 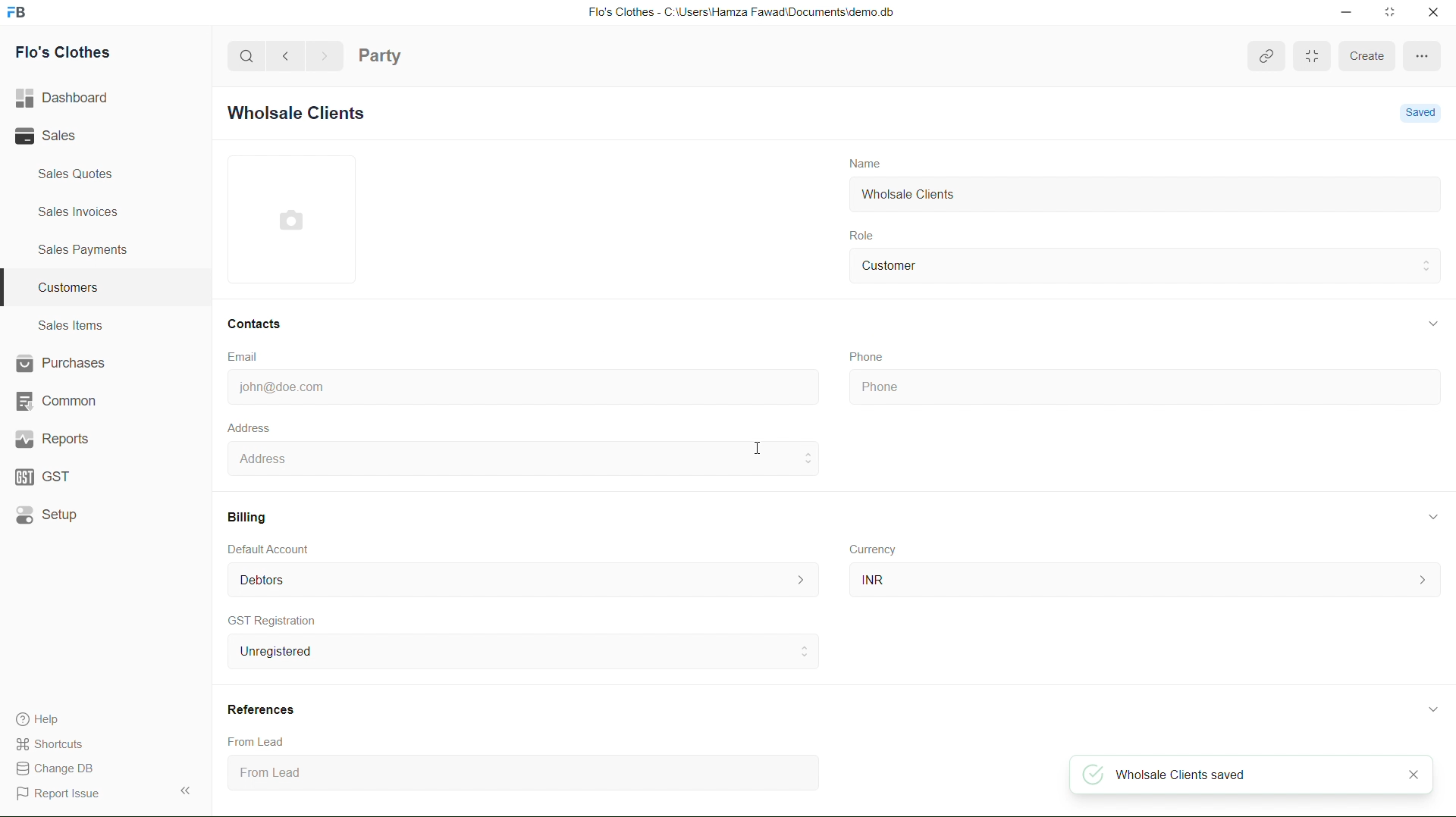 I want to click on Common, so click(x=56, y=401).